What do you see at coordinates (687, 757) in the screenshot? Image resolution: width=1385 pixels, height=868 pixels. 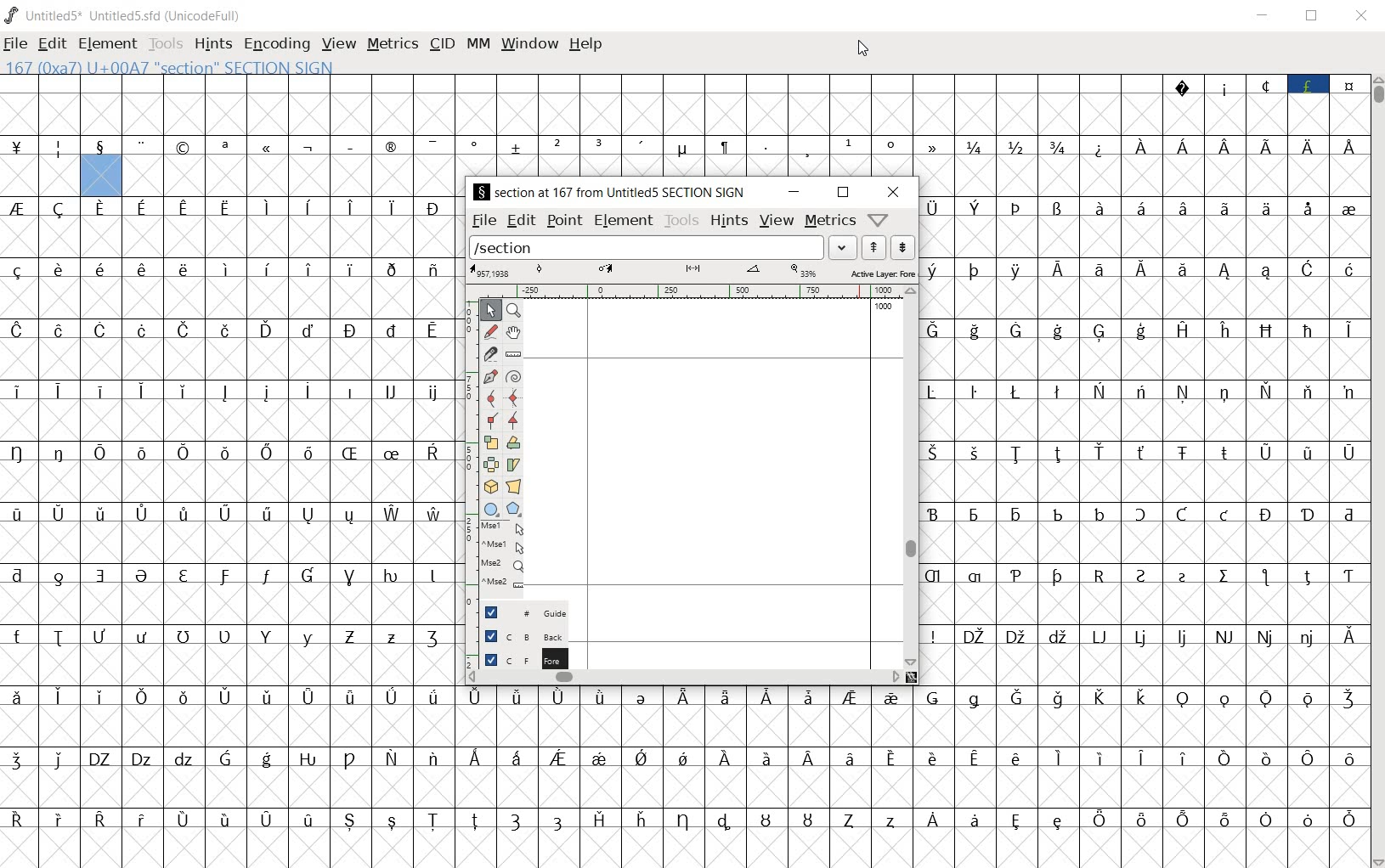 I see `special letters` at bounding box center [687, 757].